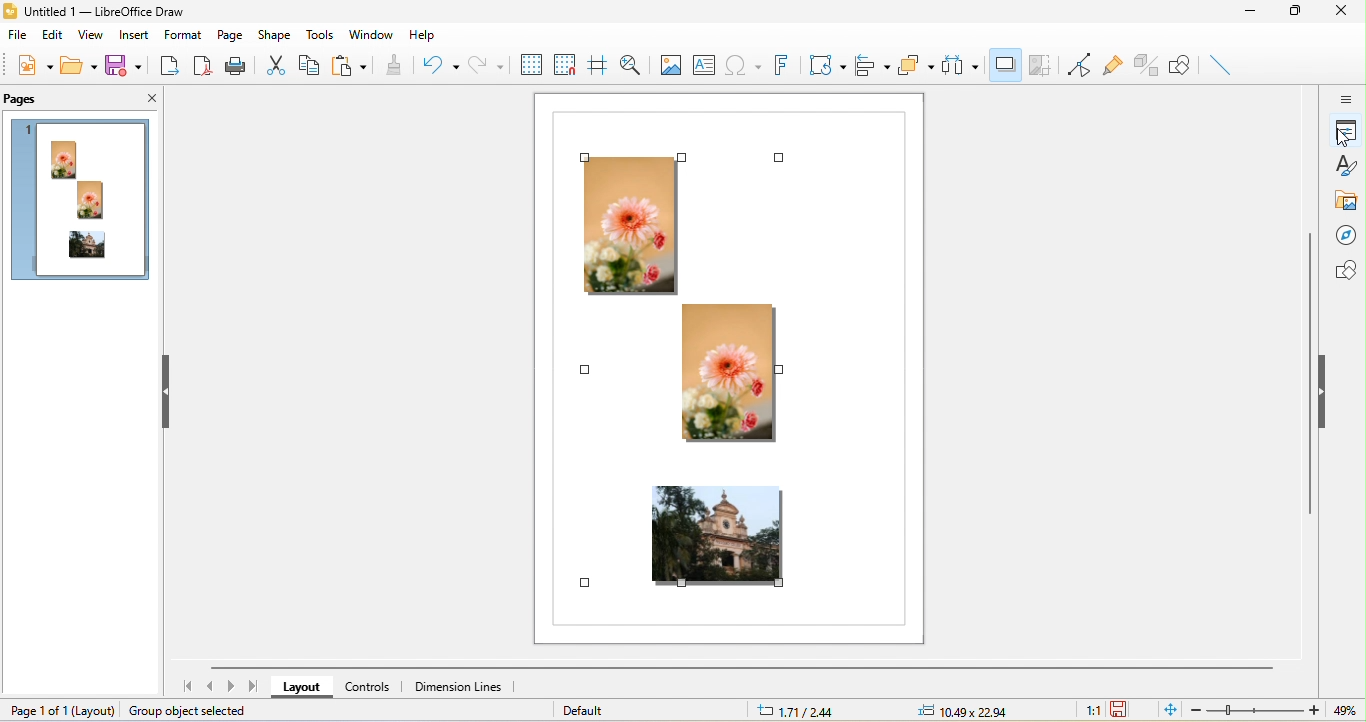 This screenshot has width=1366, height=722. Describe the element at coordinates (127, 67) in the screenshot. I see `save` at that location.